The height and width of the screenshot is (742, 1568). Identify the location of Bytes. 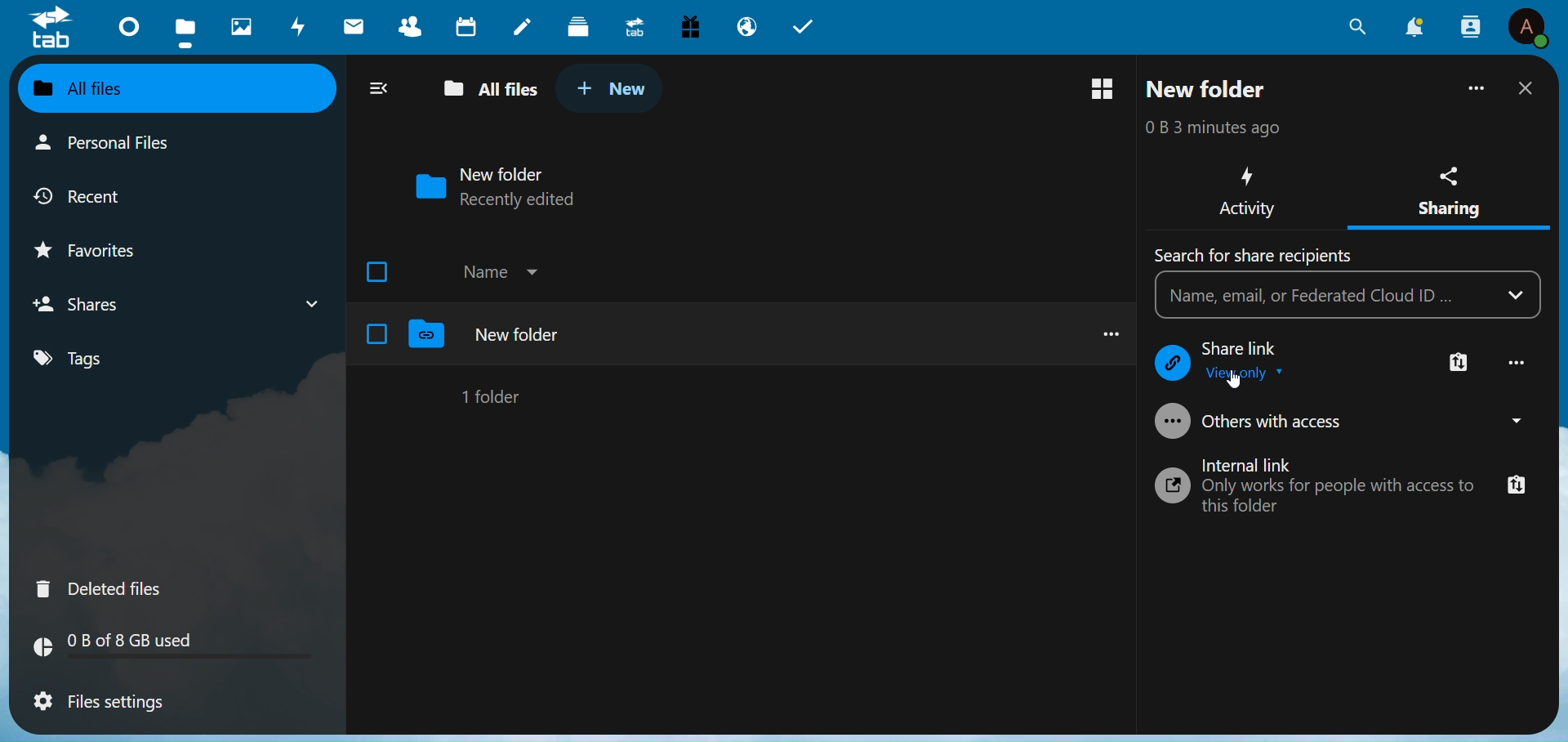
(1155, 127).